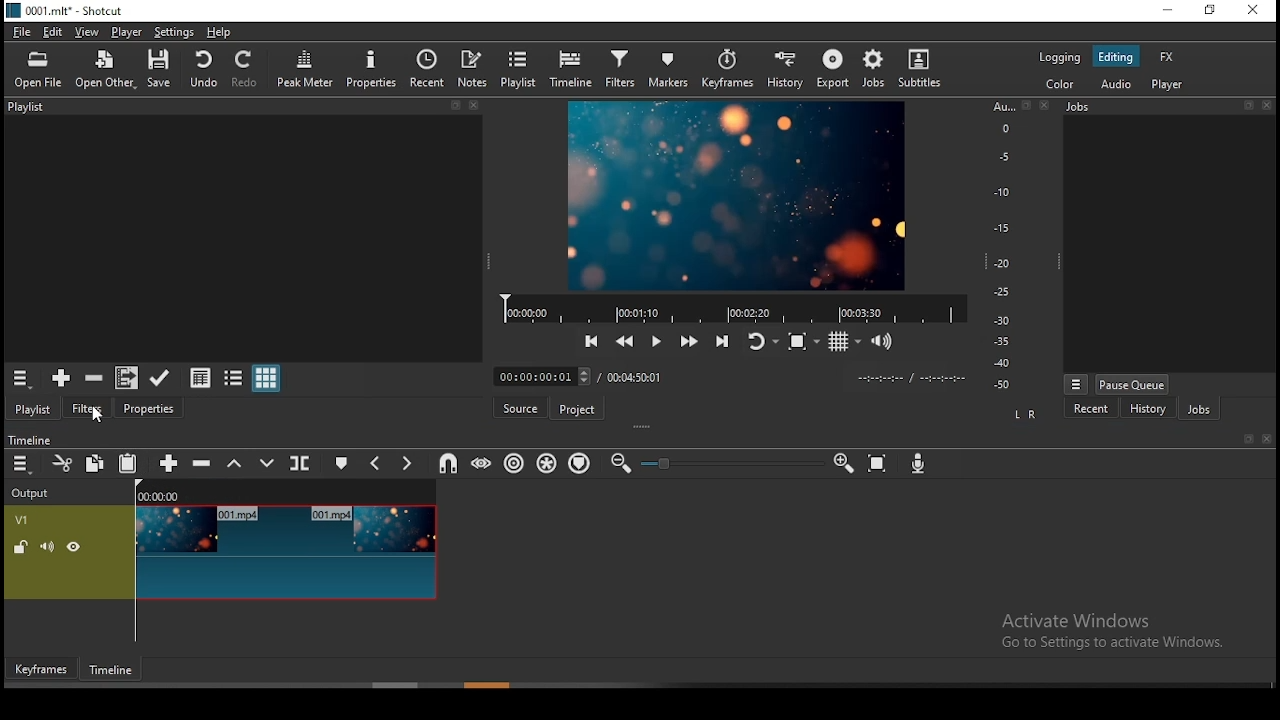  Describe the element at coordinates (1115, 55) in the screenshot. I see `editing` at that location.